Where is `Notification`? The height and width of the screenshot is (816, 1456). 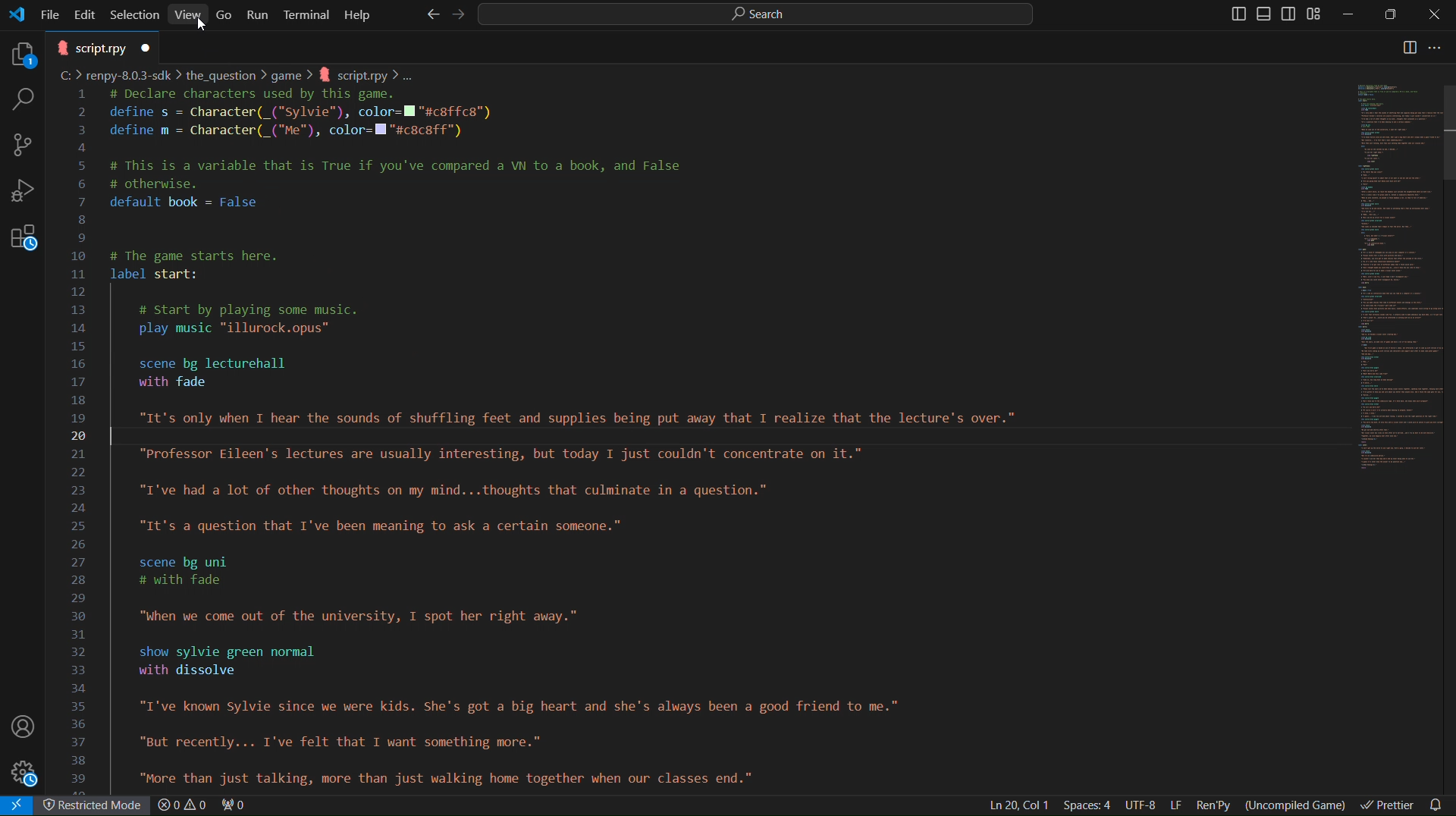
Notification is located at coordinates (1439, 804).